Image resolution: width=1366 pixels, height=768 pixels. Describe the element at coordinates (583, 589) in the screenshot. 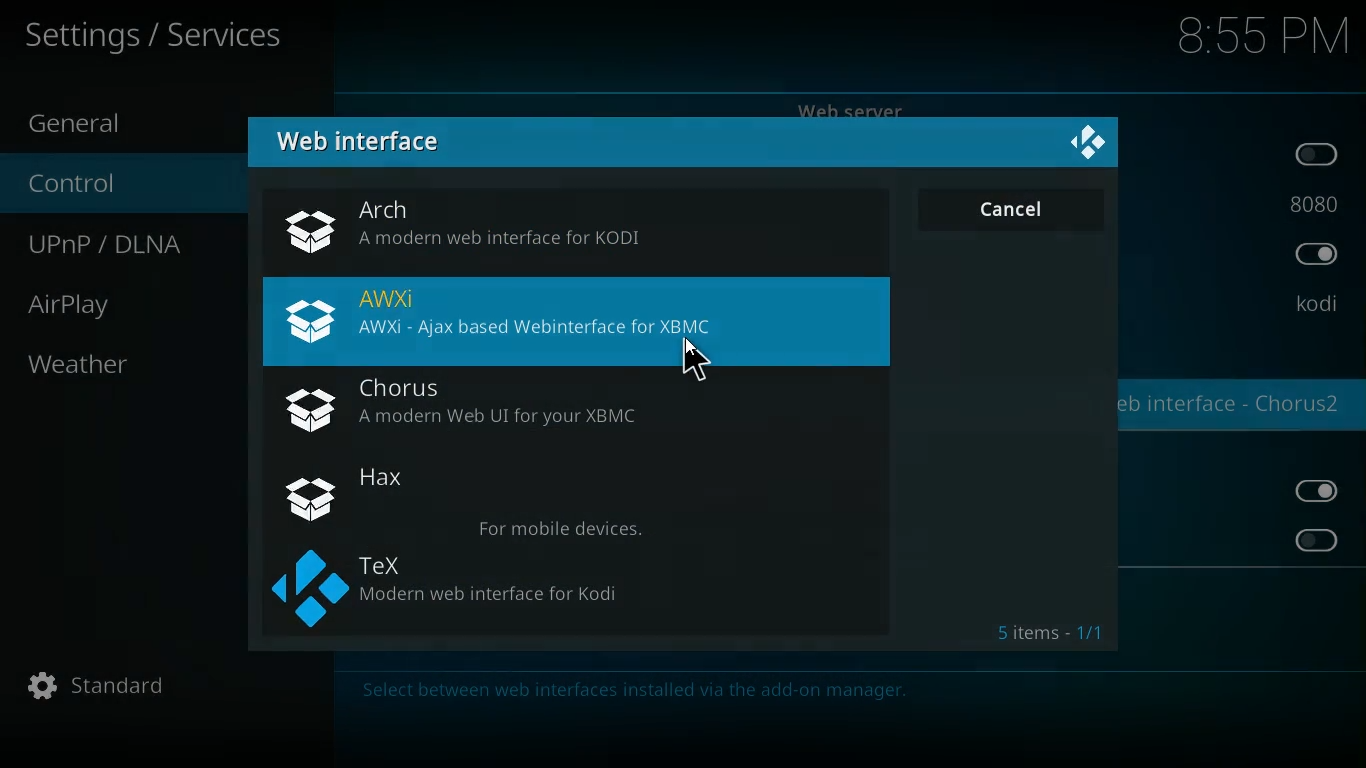

I see `tex` at that location.